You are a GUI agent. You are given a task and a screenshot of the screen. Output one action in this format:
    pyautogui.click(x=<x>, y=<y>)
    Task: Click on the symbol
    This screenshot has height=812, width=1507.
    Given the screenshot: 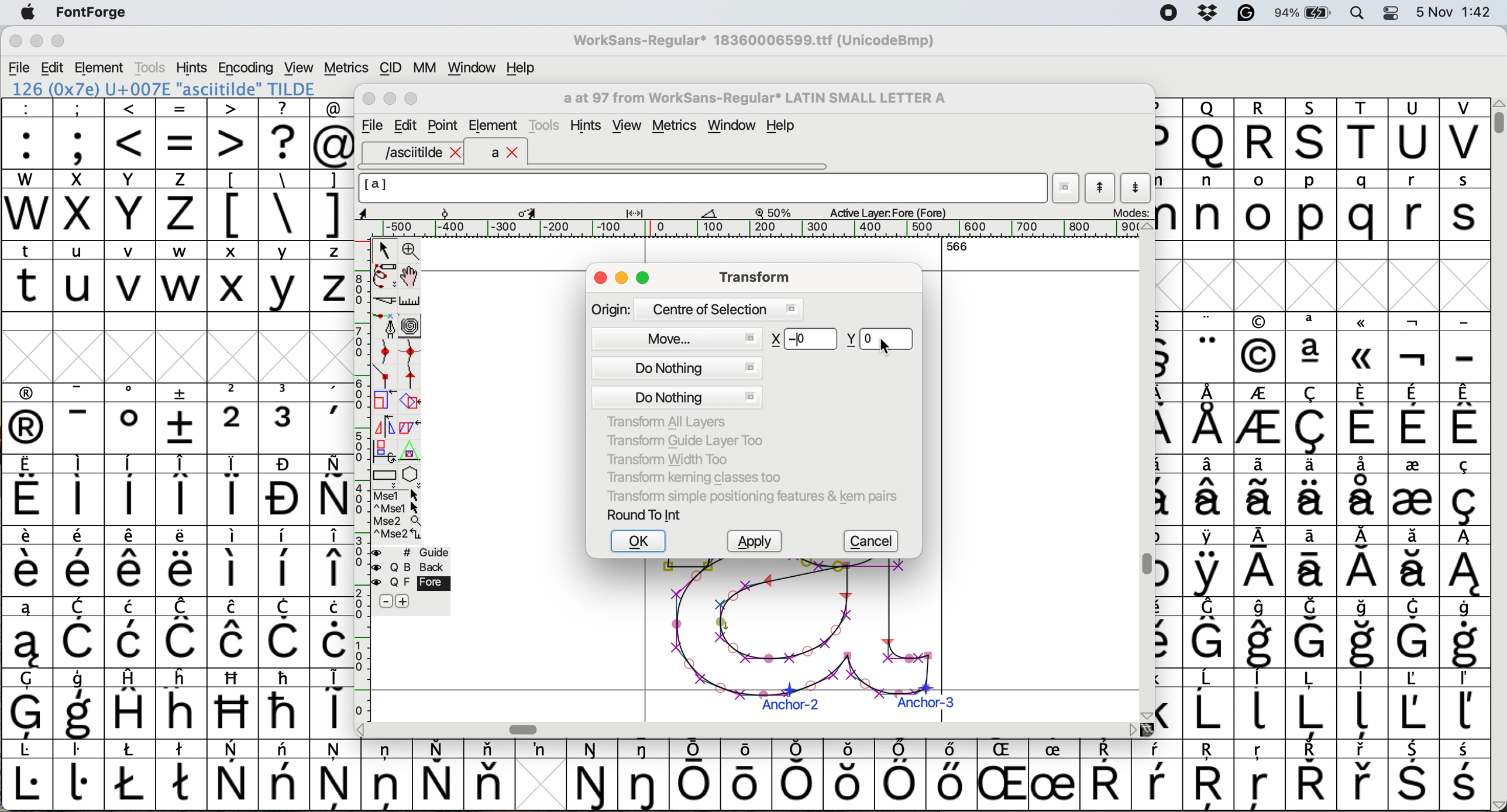 What is the action you would take?
    pyautogui.click(x=1413, y=562)
    